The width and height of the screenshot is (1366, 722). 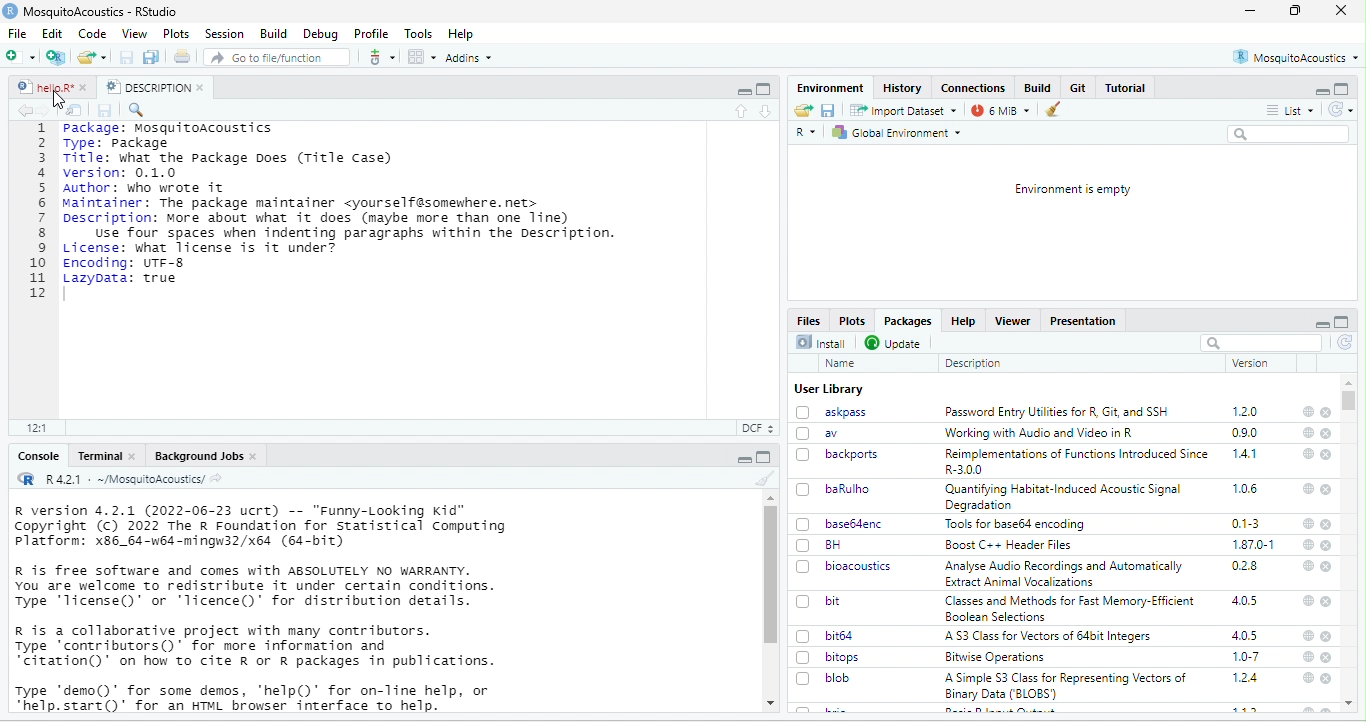 What do you see at coordinates (820, 545) in the screenshot?
I see `BH` at bounding box center [820, 545].